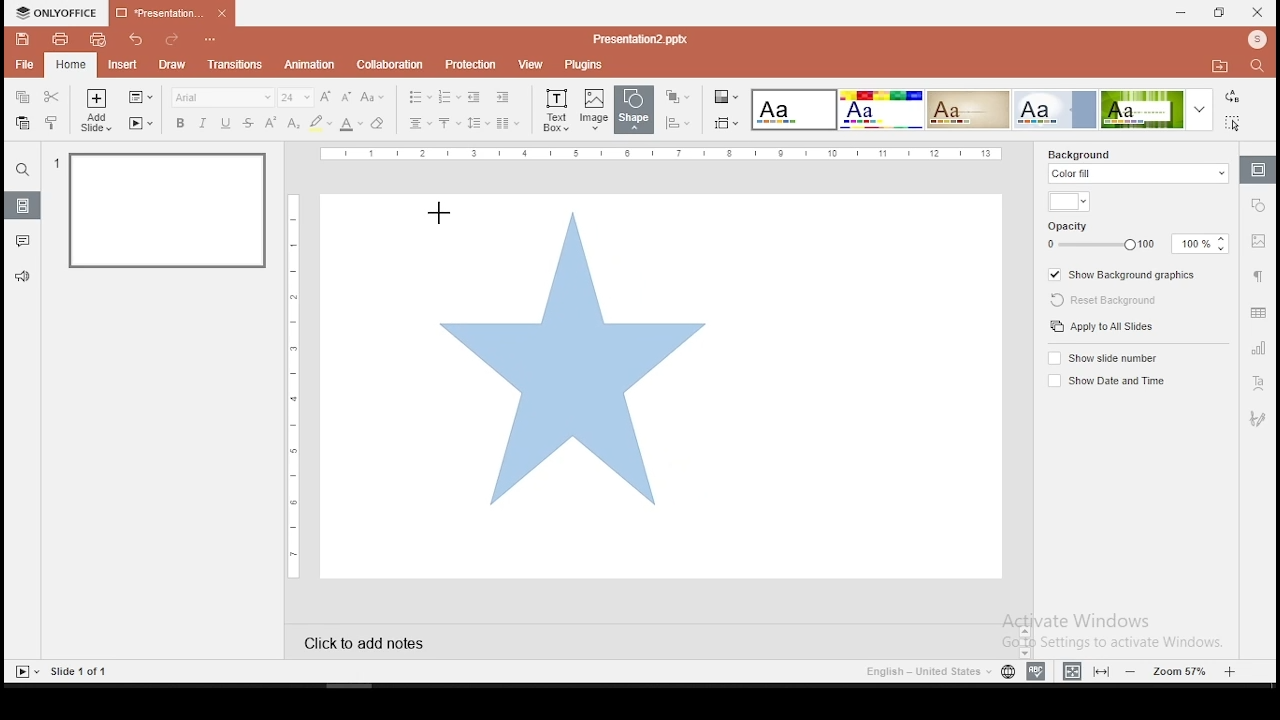 Image resolution: width=1280 pixels, height=720 pixels. Describe the element at coordinates (727, 98) in the screenshot. I see `select color theme` at that location.